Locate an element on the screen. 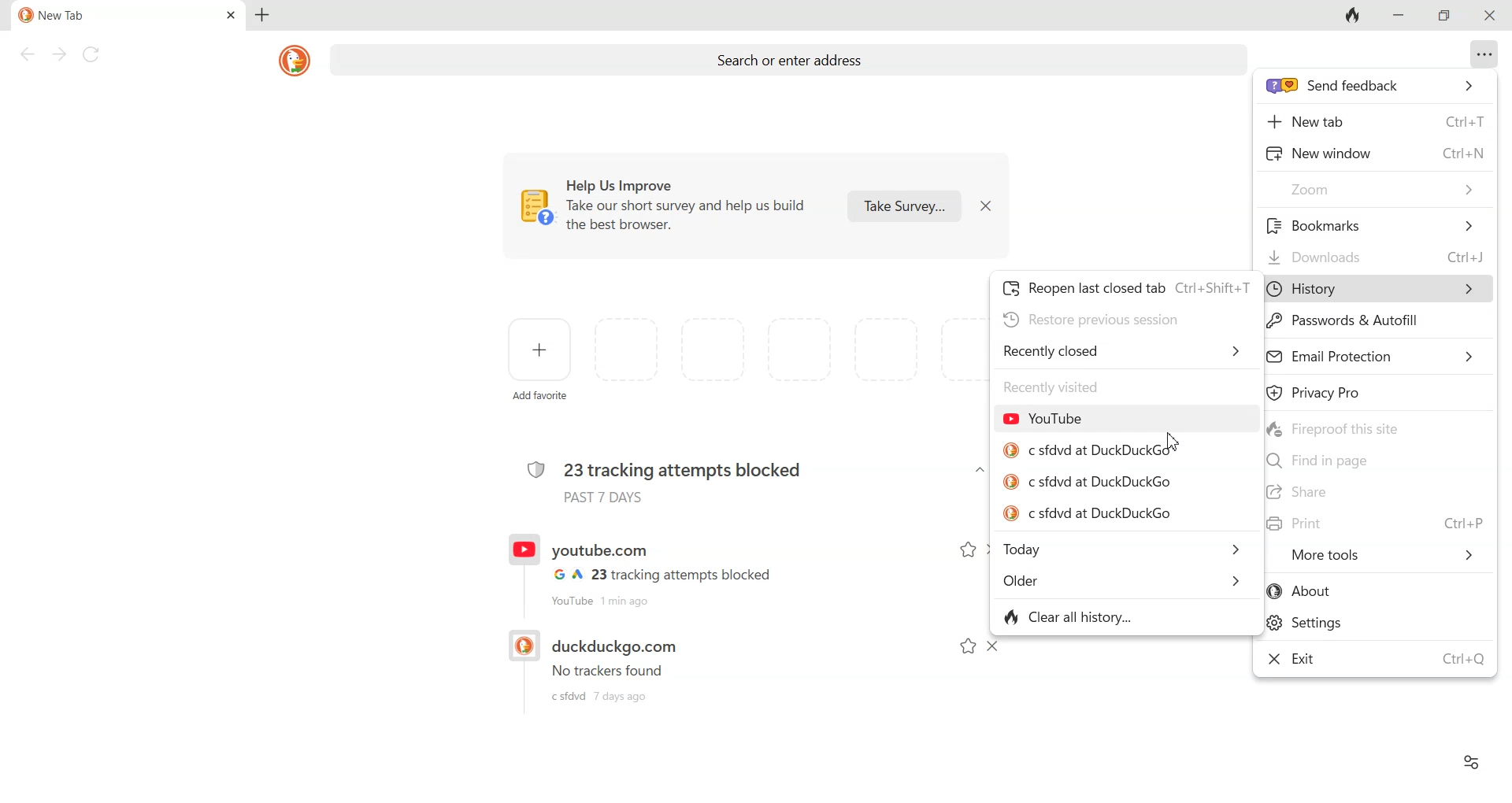  Cursor is located at coordinates (1173, 442).